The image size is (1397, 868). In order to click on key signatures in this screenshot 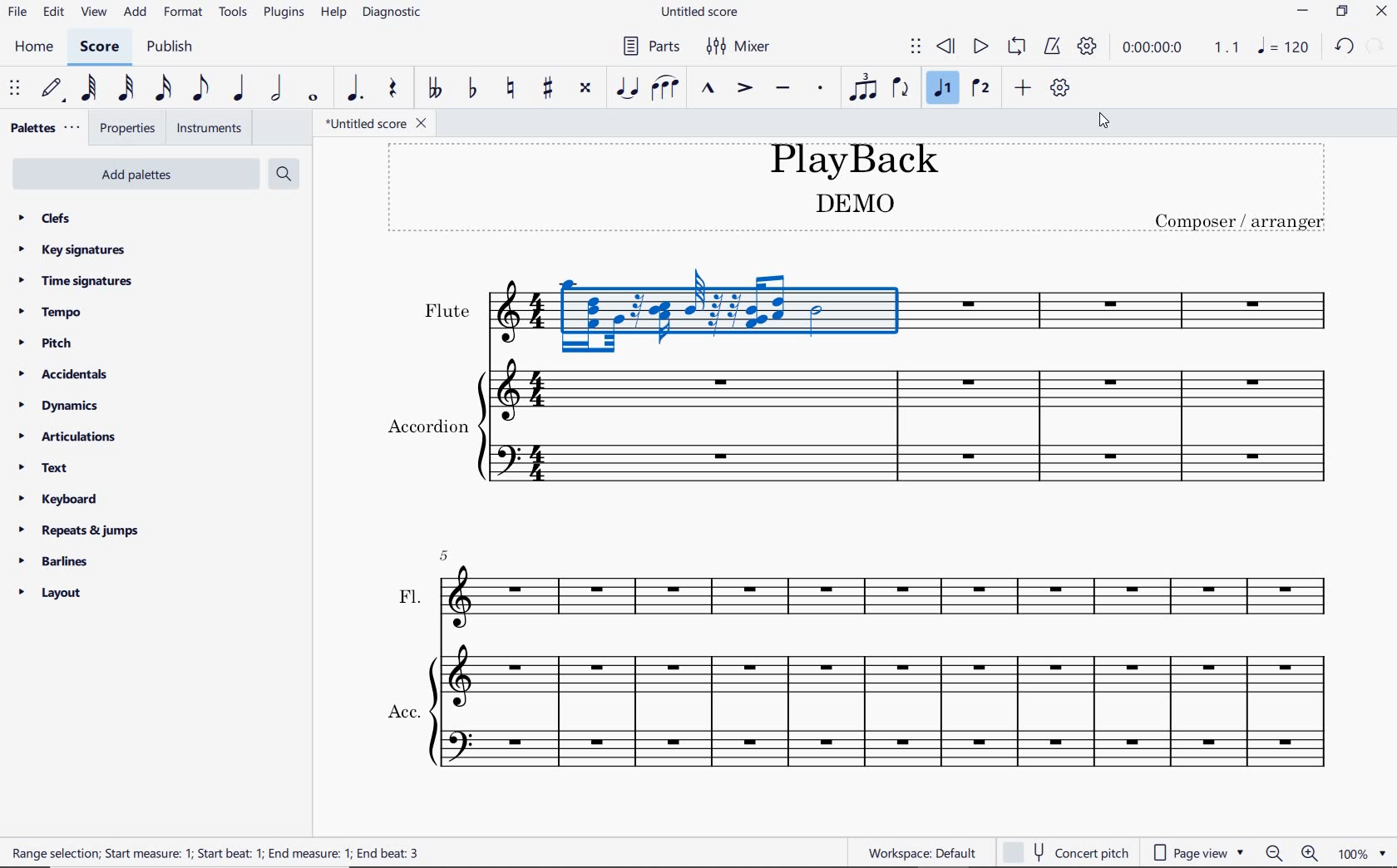, I will do `click(77, 250)`.